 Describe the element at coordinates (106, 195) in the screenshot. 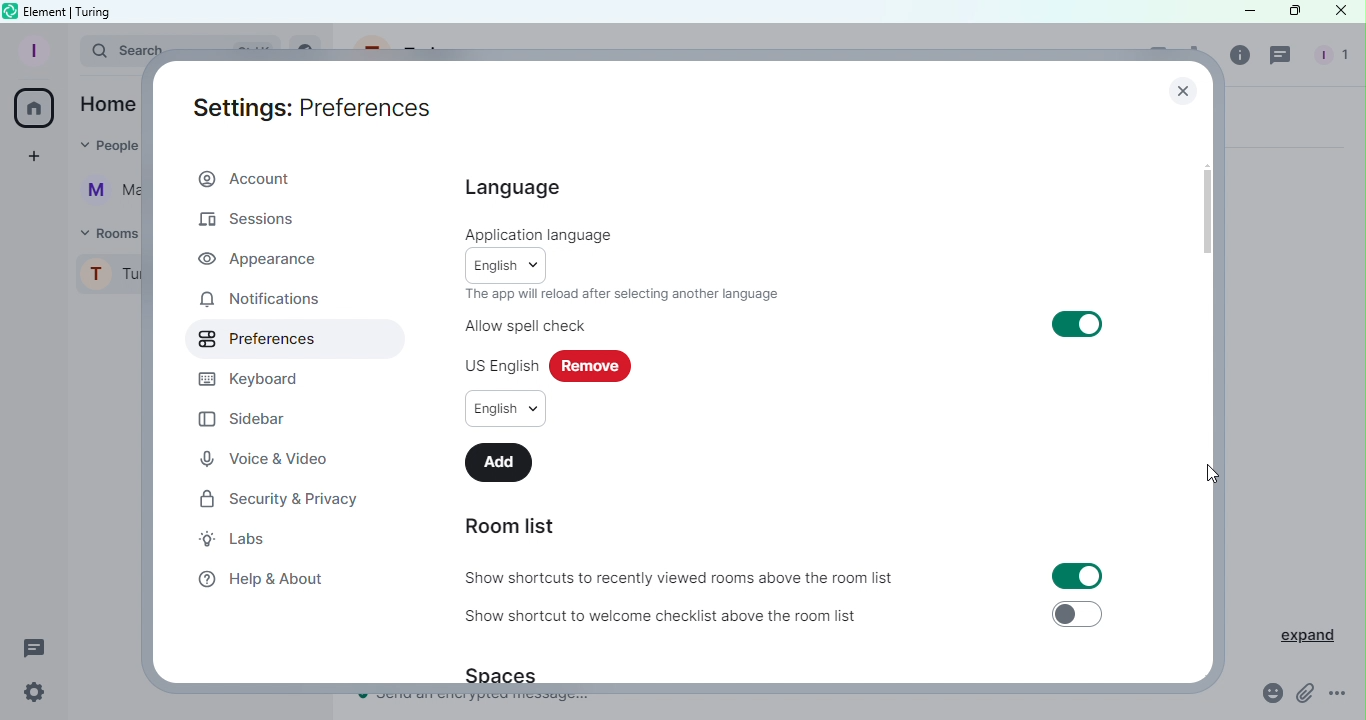

I see `Martina Tornello` at that location.